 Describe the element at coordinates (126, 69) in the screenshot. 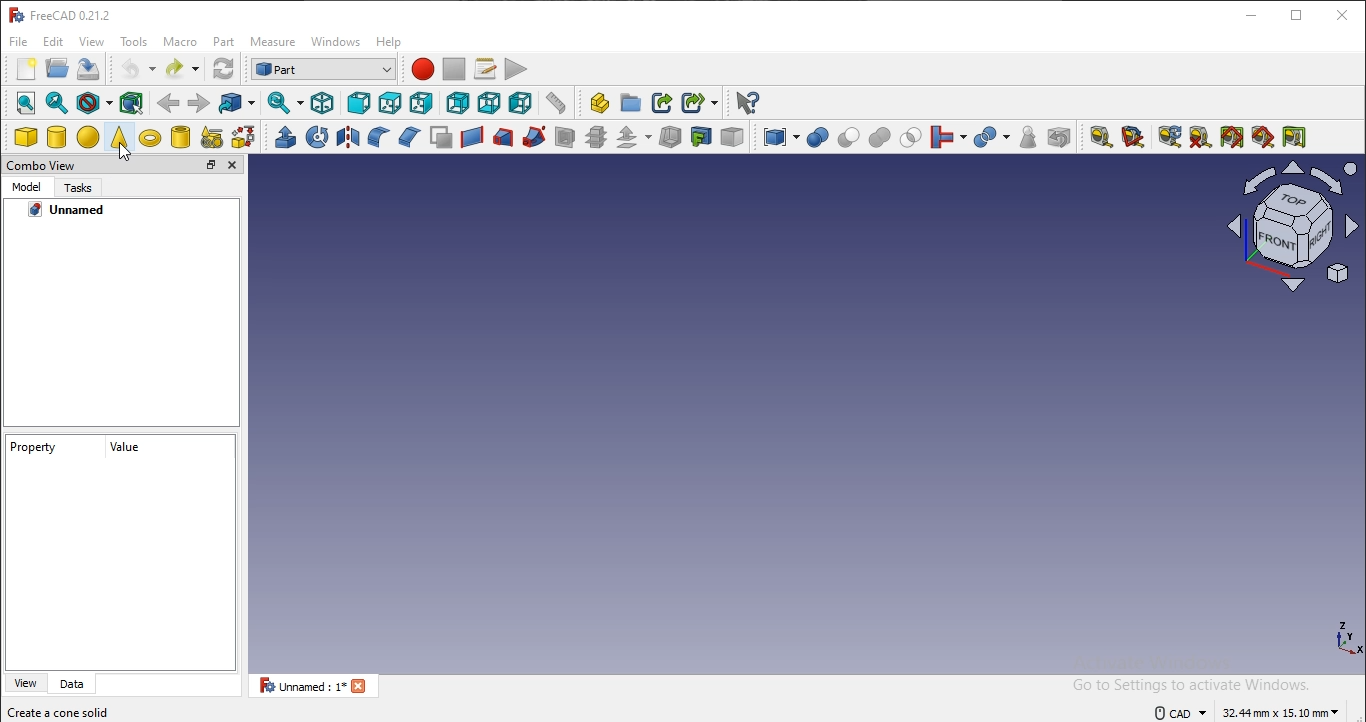

I see `undo` at that location.